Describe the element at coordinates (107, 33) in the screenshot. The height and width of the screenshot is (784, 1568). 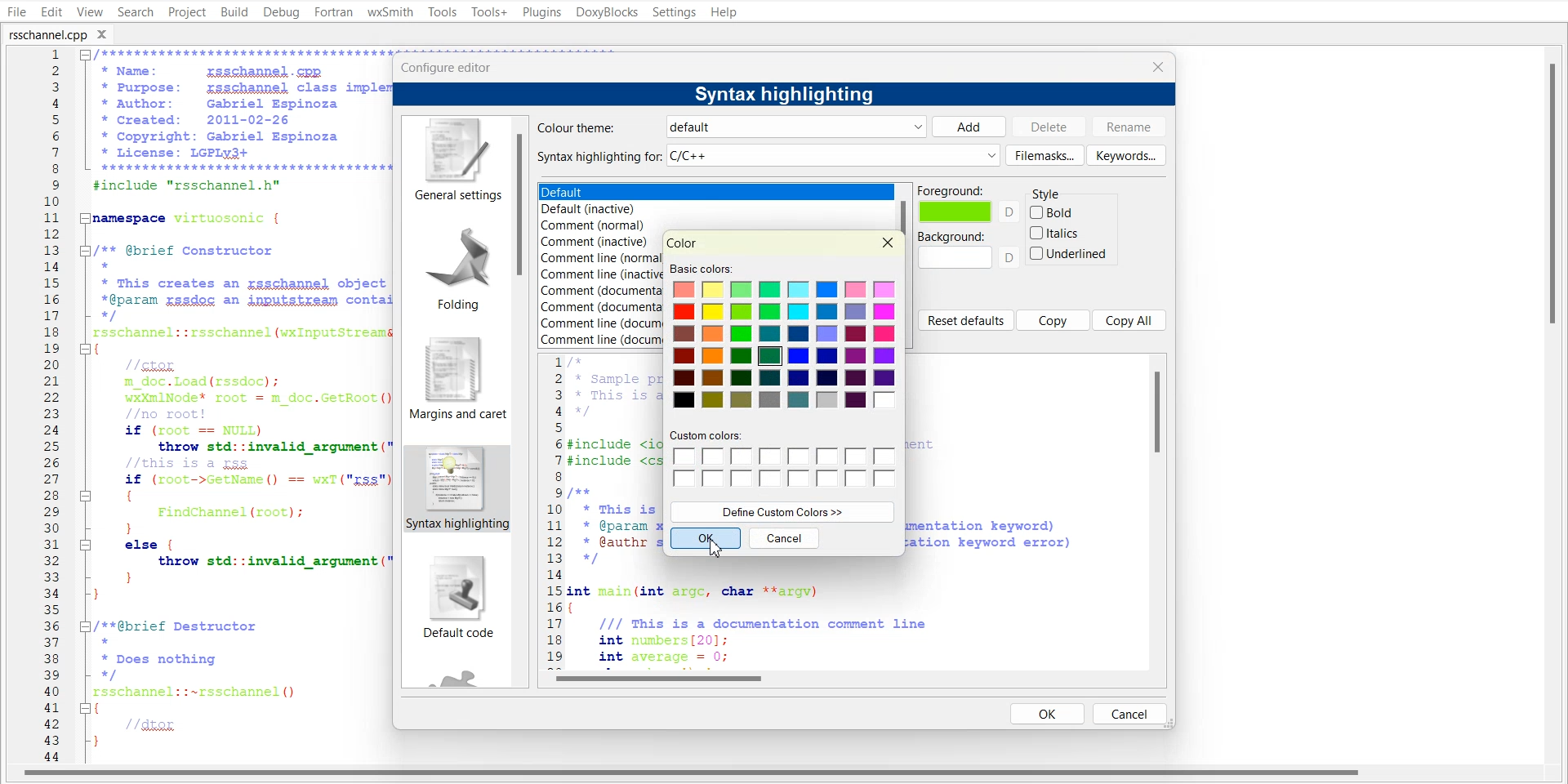
I see `Close` at that location.